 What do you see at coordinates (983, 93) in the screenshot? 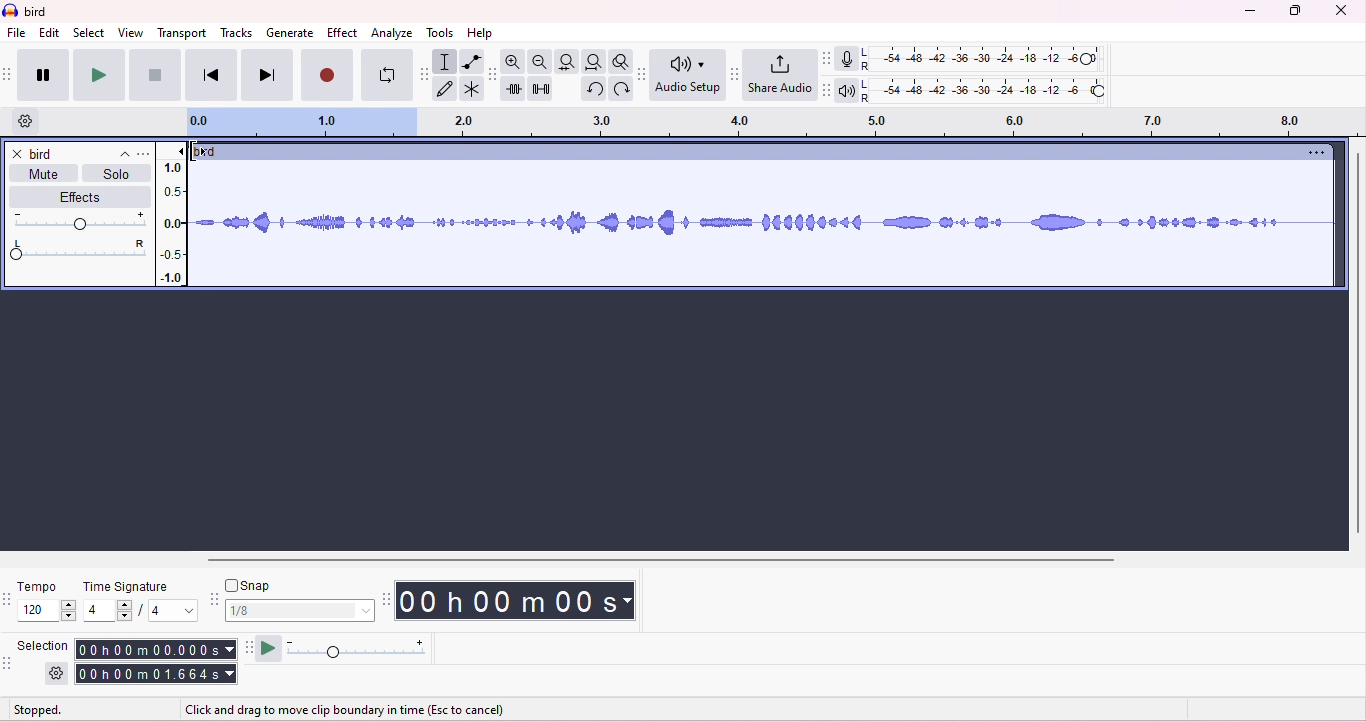
I see `playback level` at bounding box center [983, 93].